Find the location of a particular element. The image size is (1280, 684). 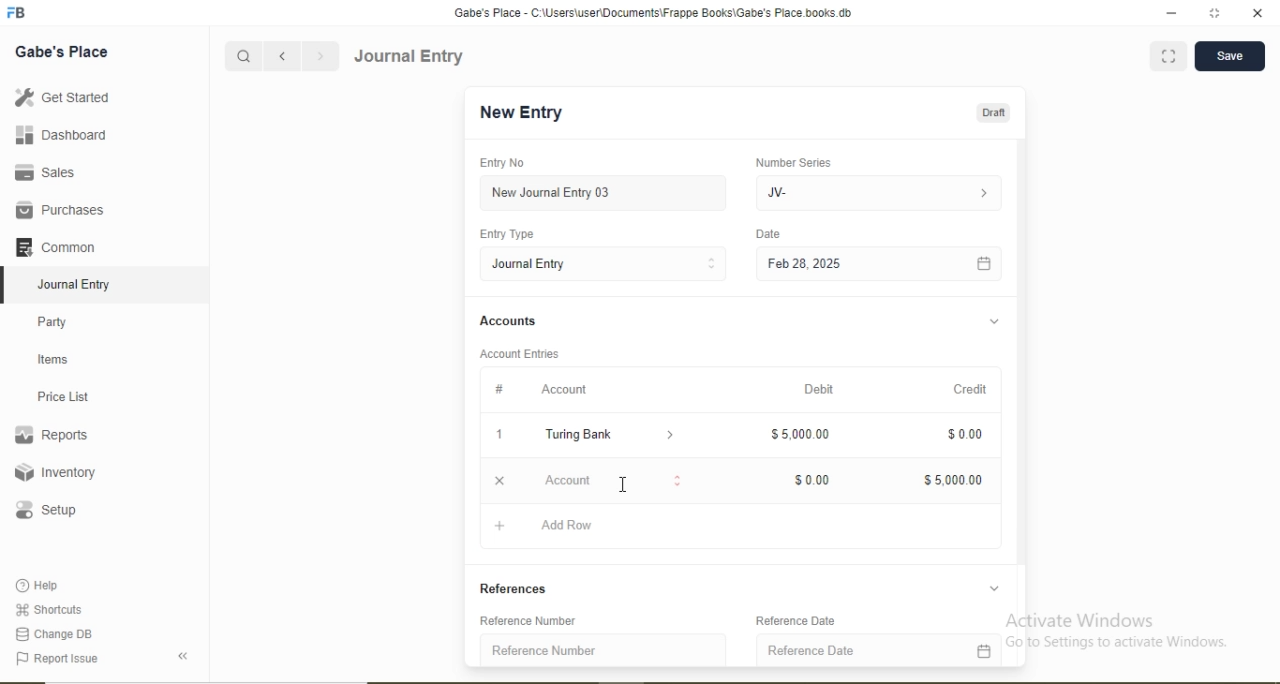

Search is located at coordinates (242, 57).